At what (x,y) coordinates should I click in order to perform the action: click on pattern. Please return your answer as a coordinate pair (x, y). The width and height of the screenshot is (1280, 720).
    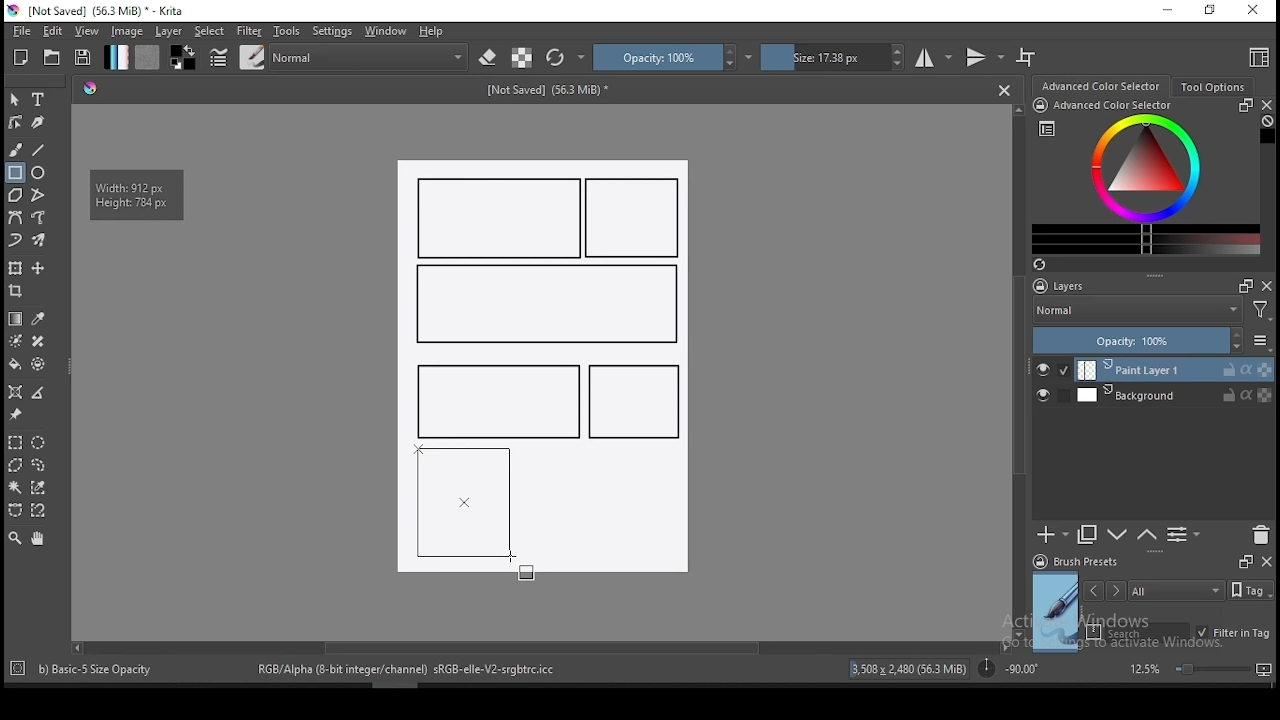
    Looking at the image, I should click on (147, 57).